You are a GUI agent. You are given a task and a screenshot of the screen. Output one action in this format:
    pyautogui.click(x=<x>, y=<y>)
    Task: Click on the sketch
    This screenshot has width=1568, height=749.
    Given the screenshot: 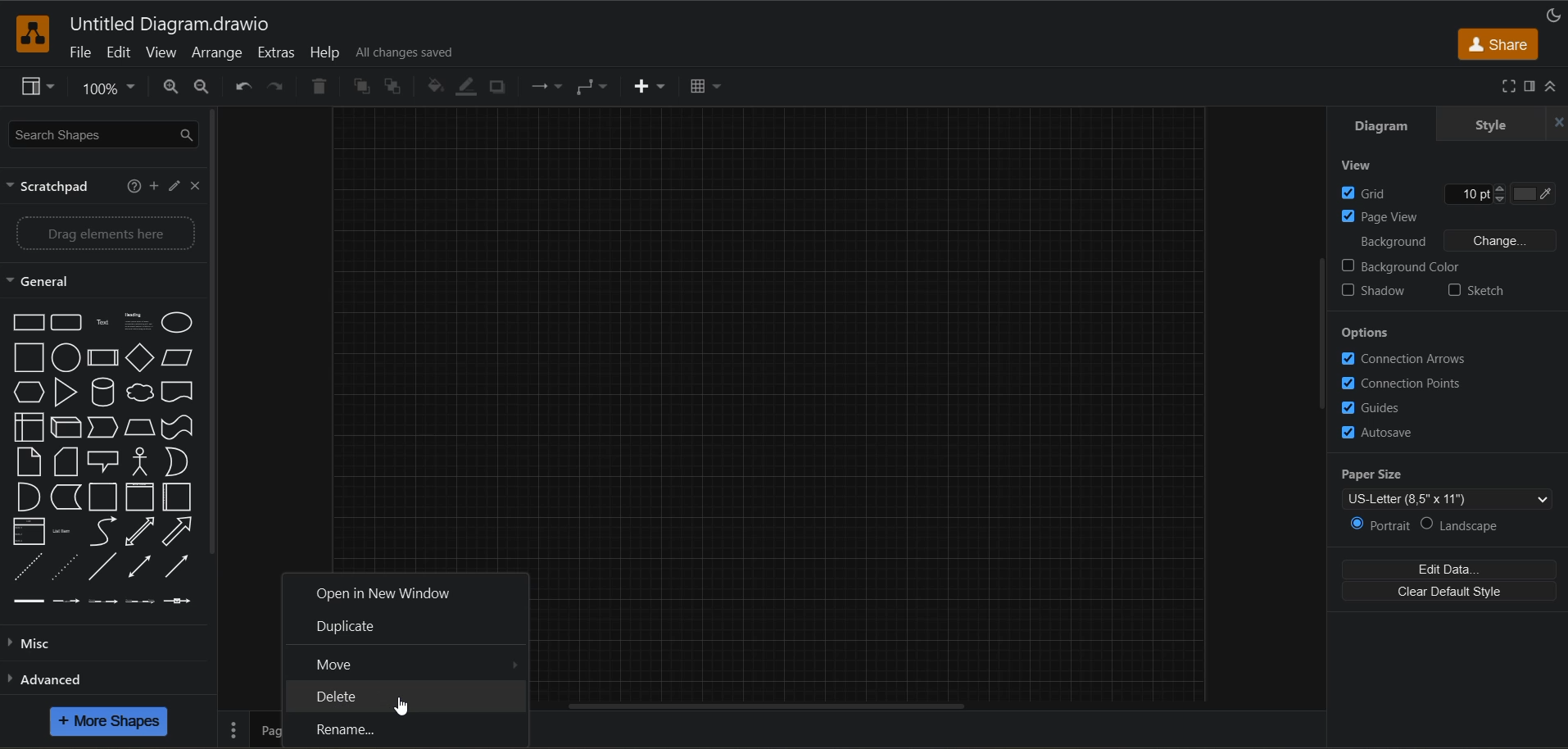 What is the action you would take?
    pyautogui.click(x=1477, y=292)
    